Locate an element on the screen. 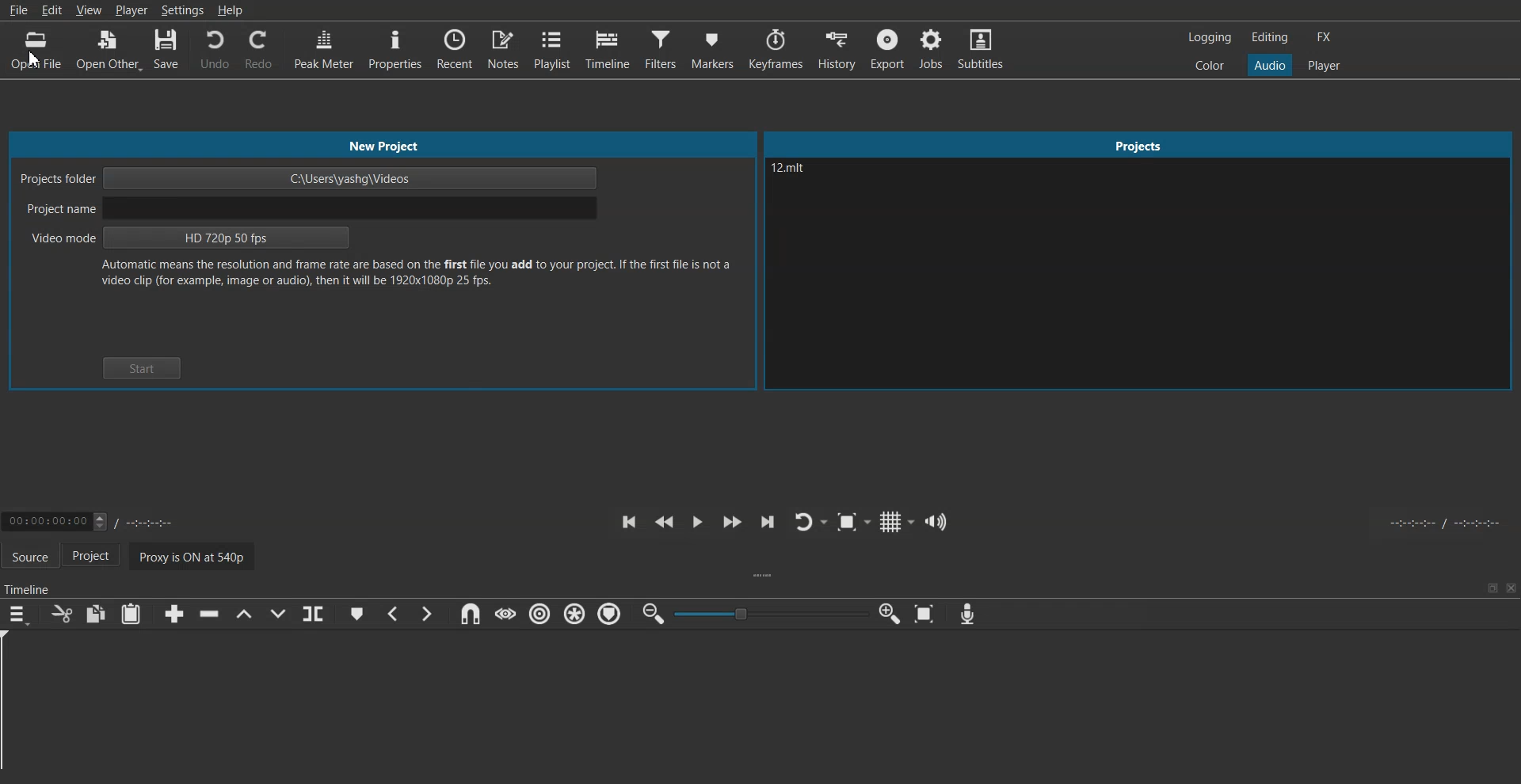 This screenshot has height=784, width=1521. Ripple marketers is located at coordinates (610, 615).